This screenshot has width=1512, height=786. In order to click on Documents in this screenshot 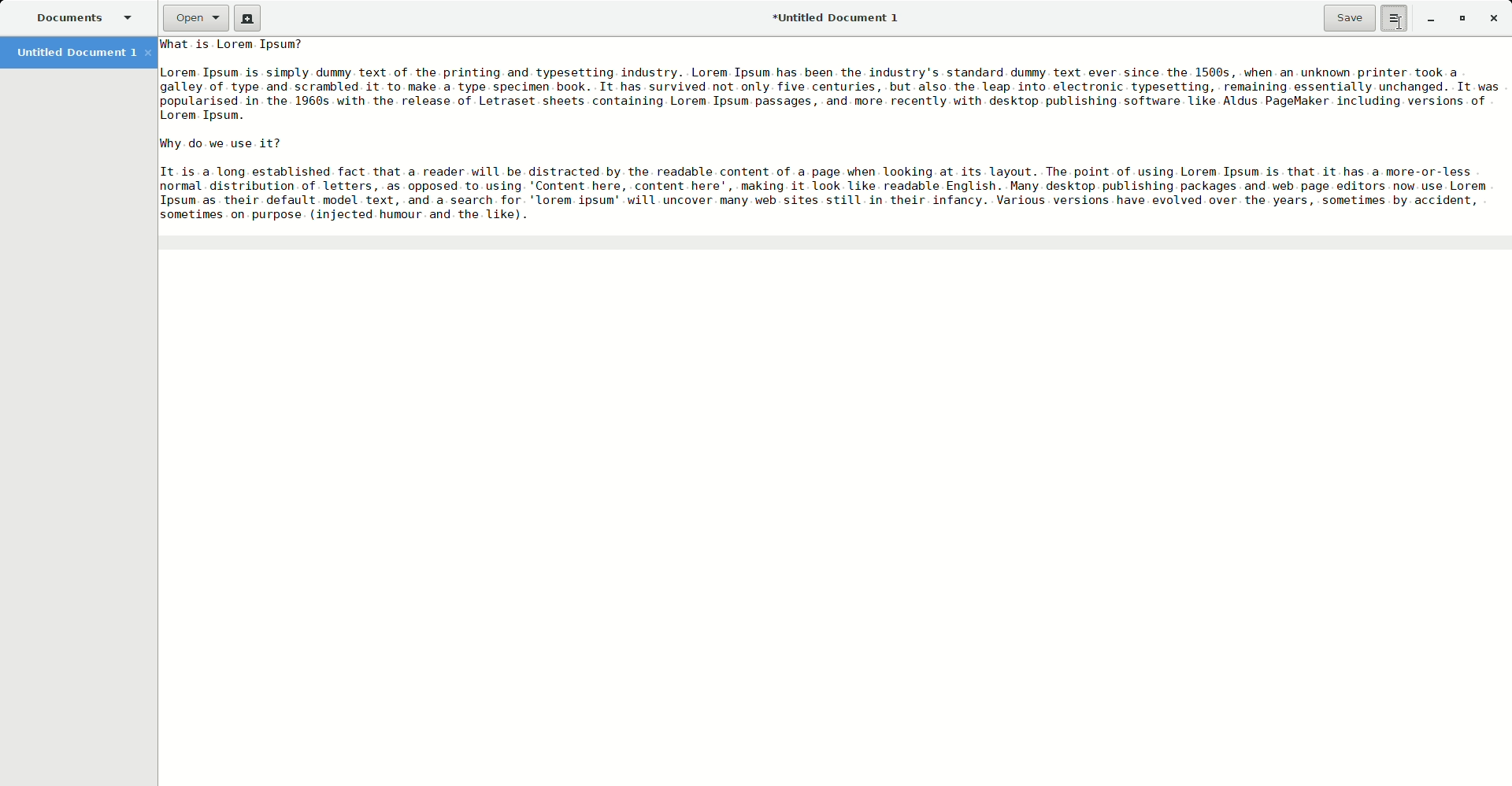, I will do `click(86, 19)`.